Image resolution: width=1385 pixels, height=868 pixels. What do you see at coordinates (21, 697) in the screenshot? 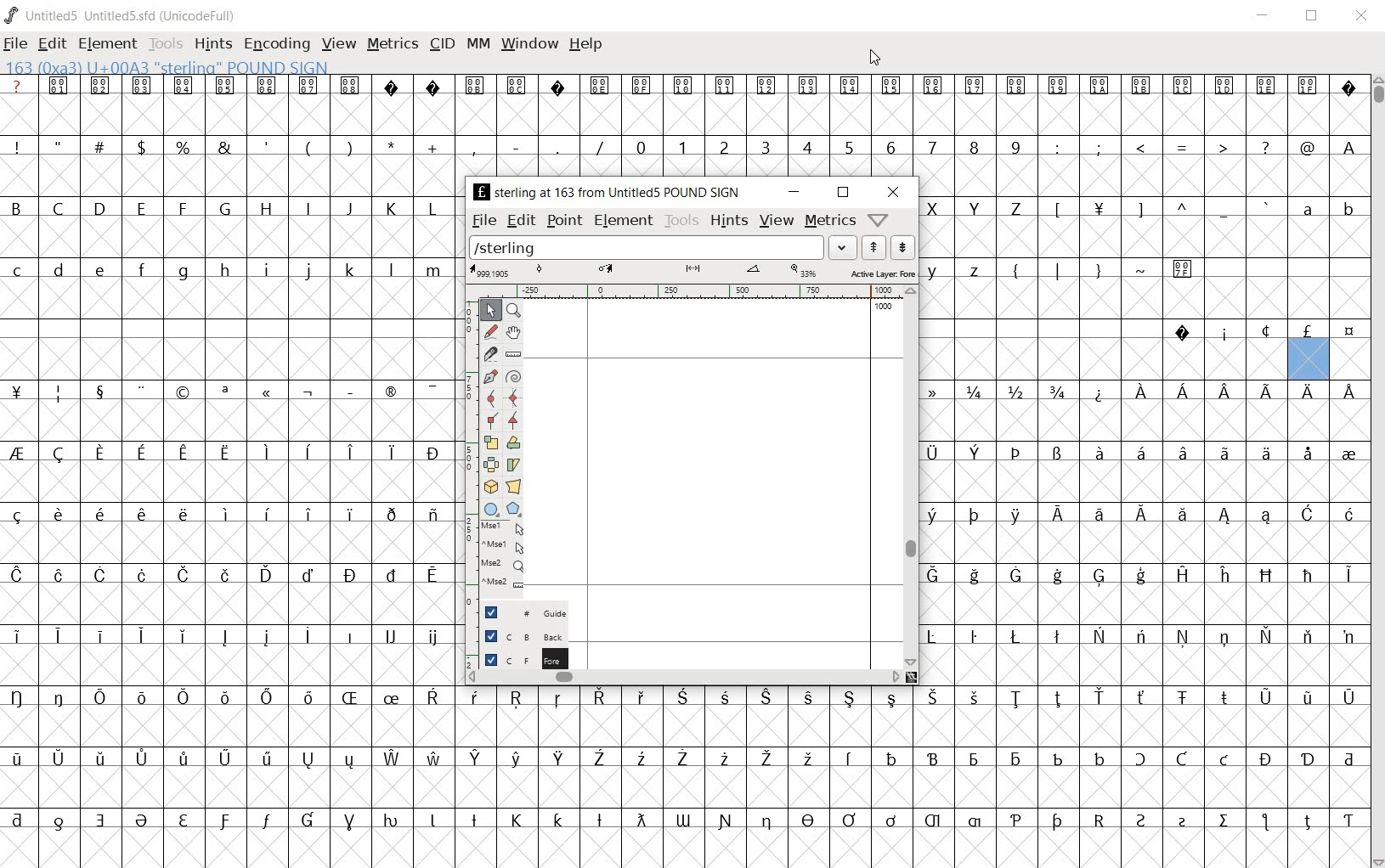
I see `Symbol` at bounding box center [21, 697].